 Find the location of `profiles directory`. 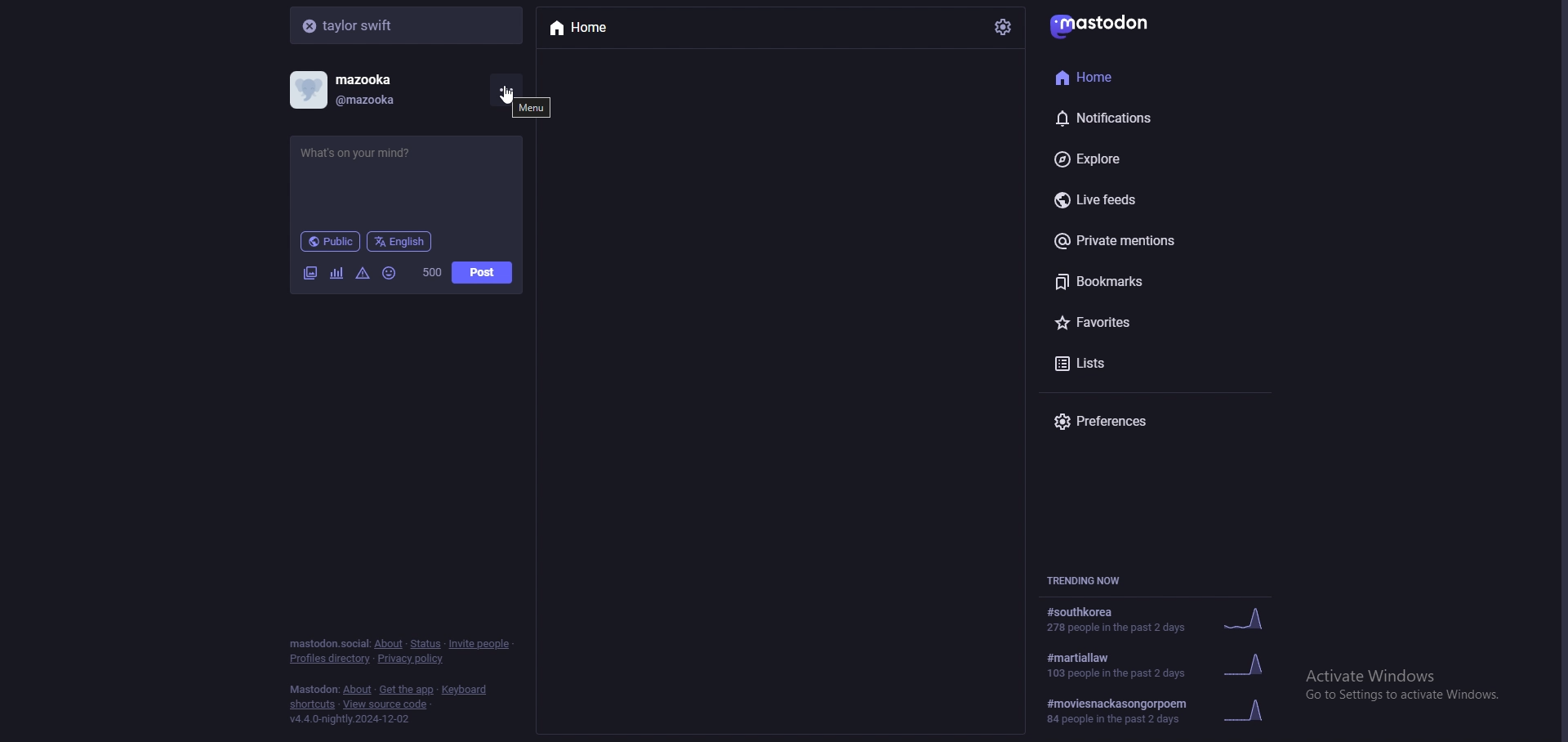

profiles directory is located at coordinates (330, 660).